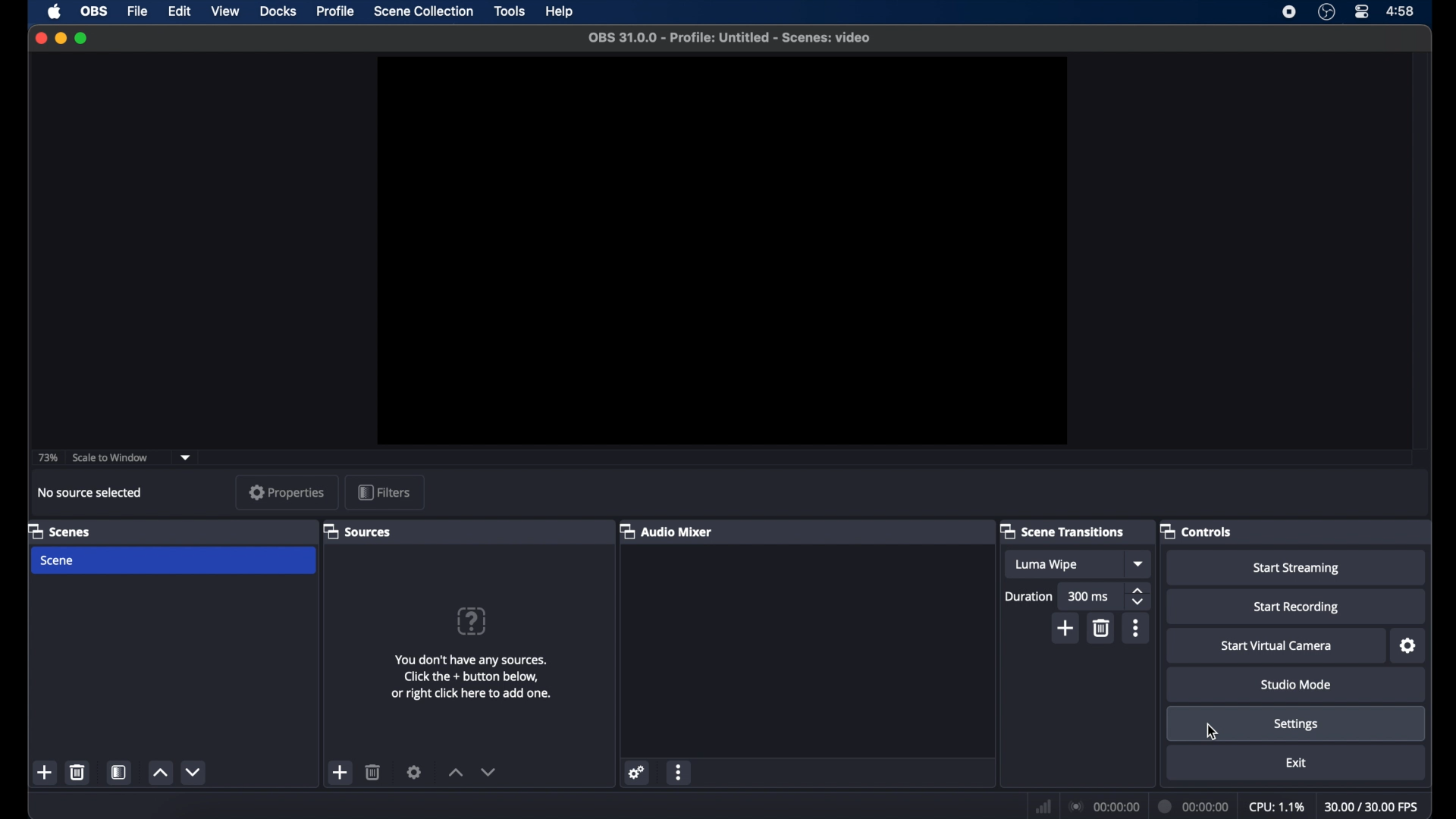 Image resolution: width=1456 pixels, height=819 pixels. What do you see at coordinates (61, 38) in the screenshot?
I see `minimize` at bounding box center [61, 38].